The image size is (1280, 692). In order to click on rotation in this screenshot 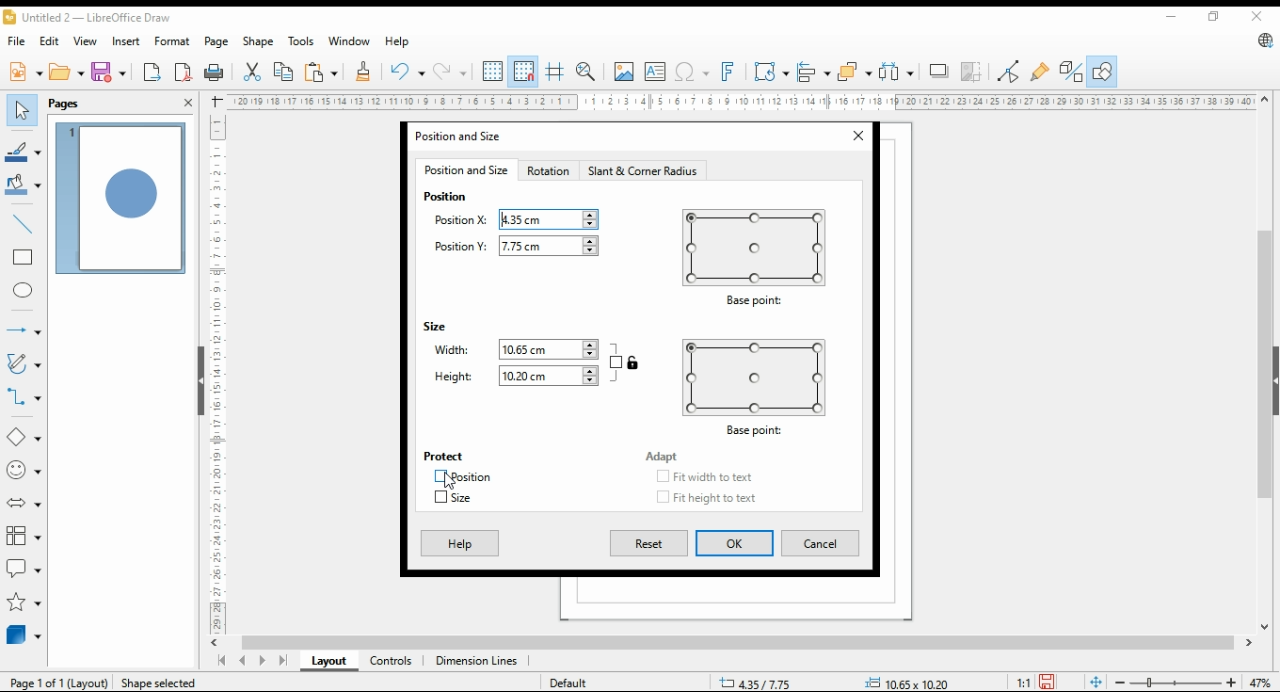, I will do `click(548, 171)`.